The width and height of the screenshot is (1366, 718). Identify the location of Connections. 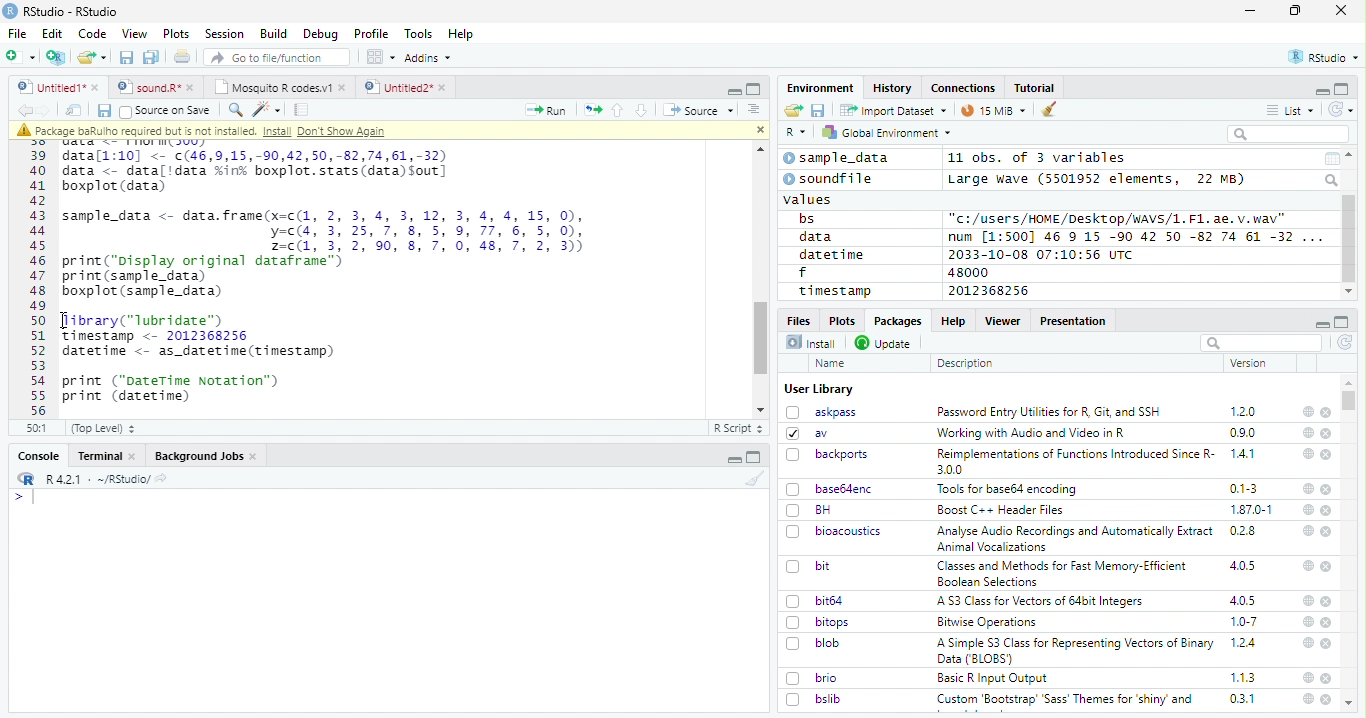
(962, 88).